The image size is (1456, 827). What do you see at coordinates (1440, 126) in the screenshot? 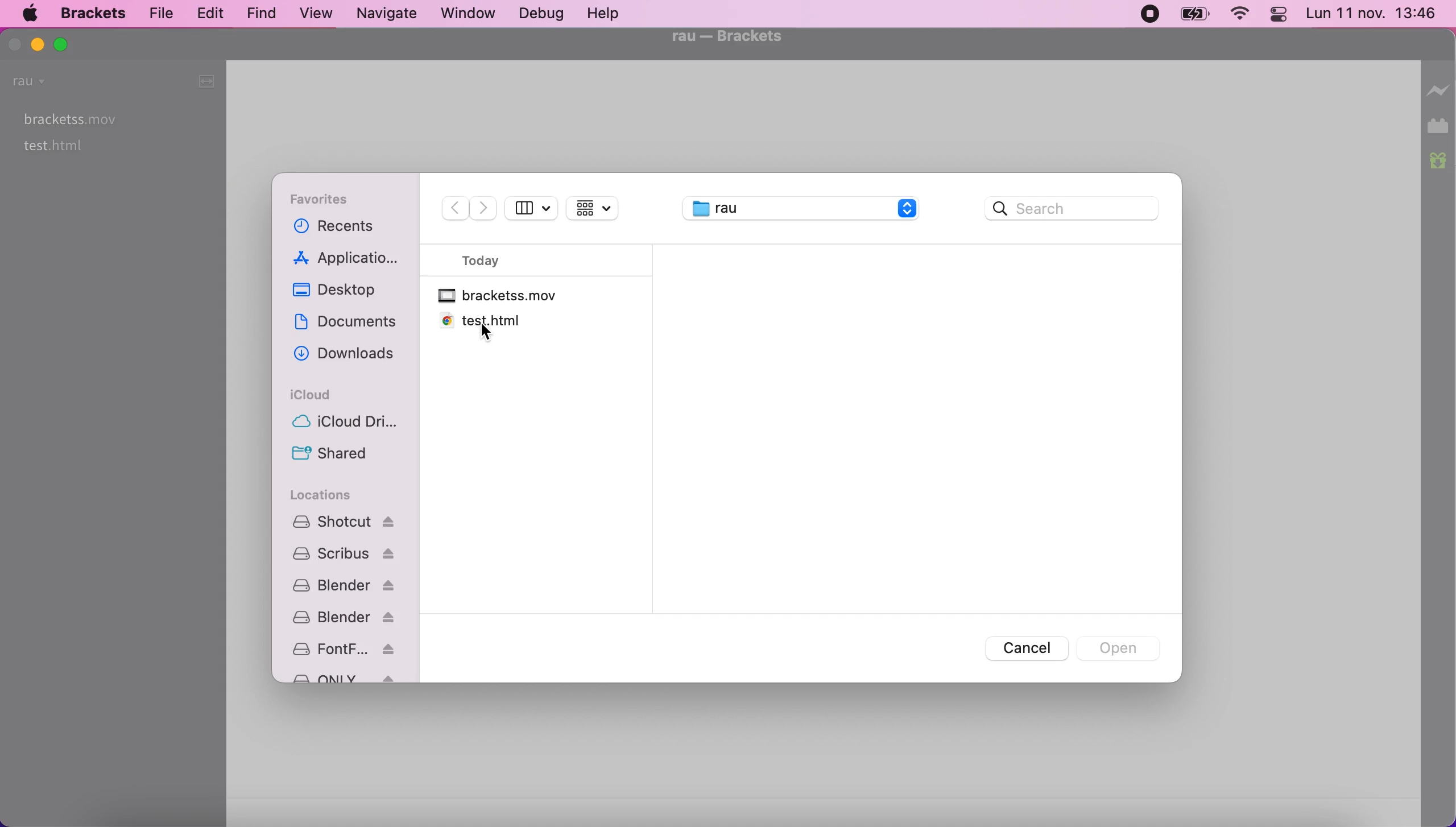
I see `extension manager` at bounding box center [1440, 126].